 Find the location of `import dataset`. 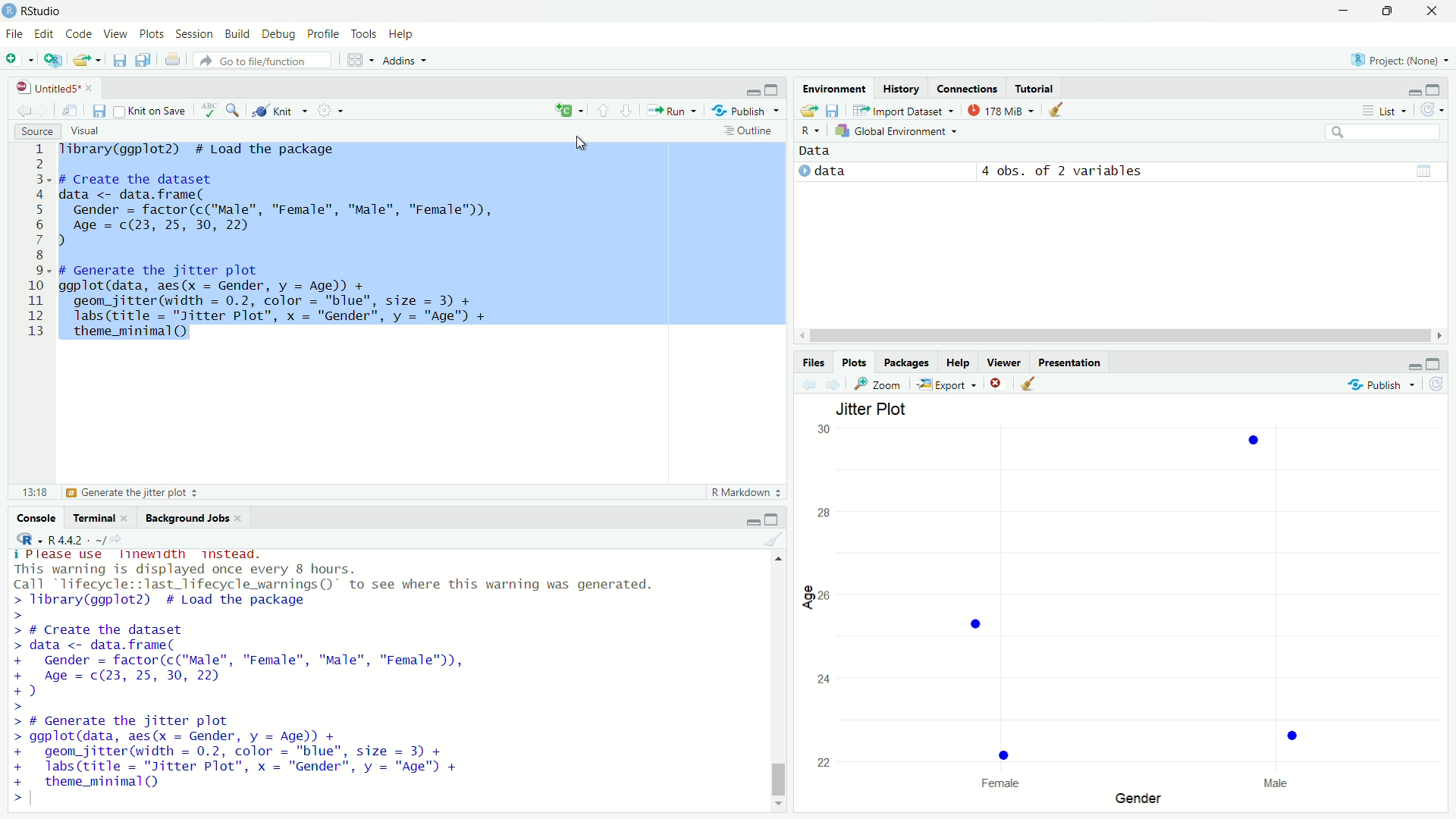

import dataset is located at coordinates (903, 110).